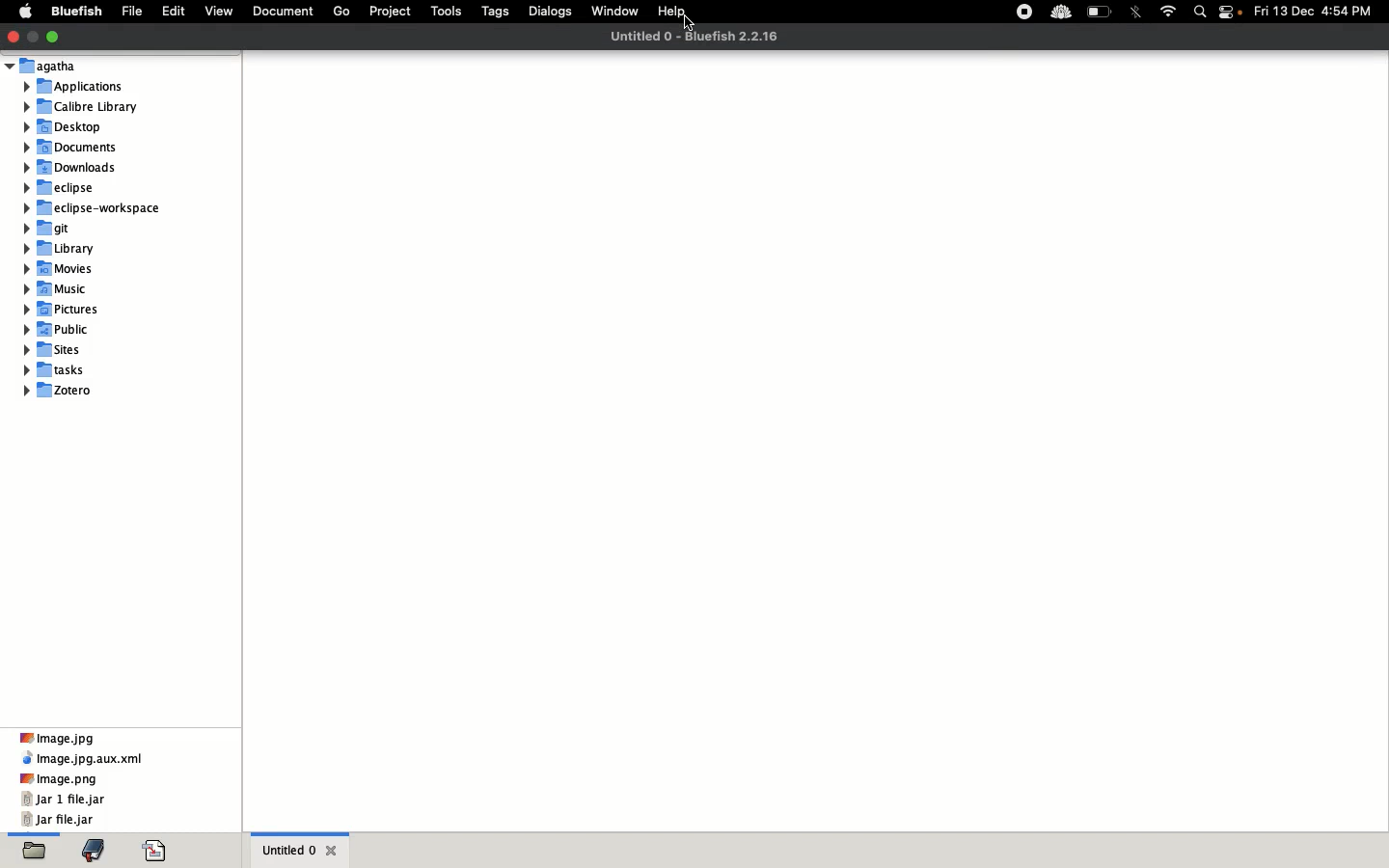 Image resolution: width=1389 pixels, height=868 pixels. I want to click on music, so click(61, 289).